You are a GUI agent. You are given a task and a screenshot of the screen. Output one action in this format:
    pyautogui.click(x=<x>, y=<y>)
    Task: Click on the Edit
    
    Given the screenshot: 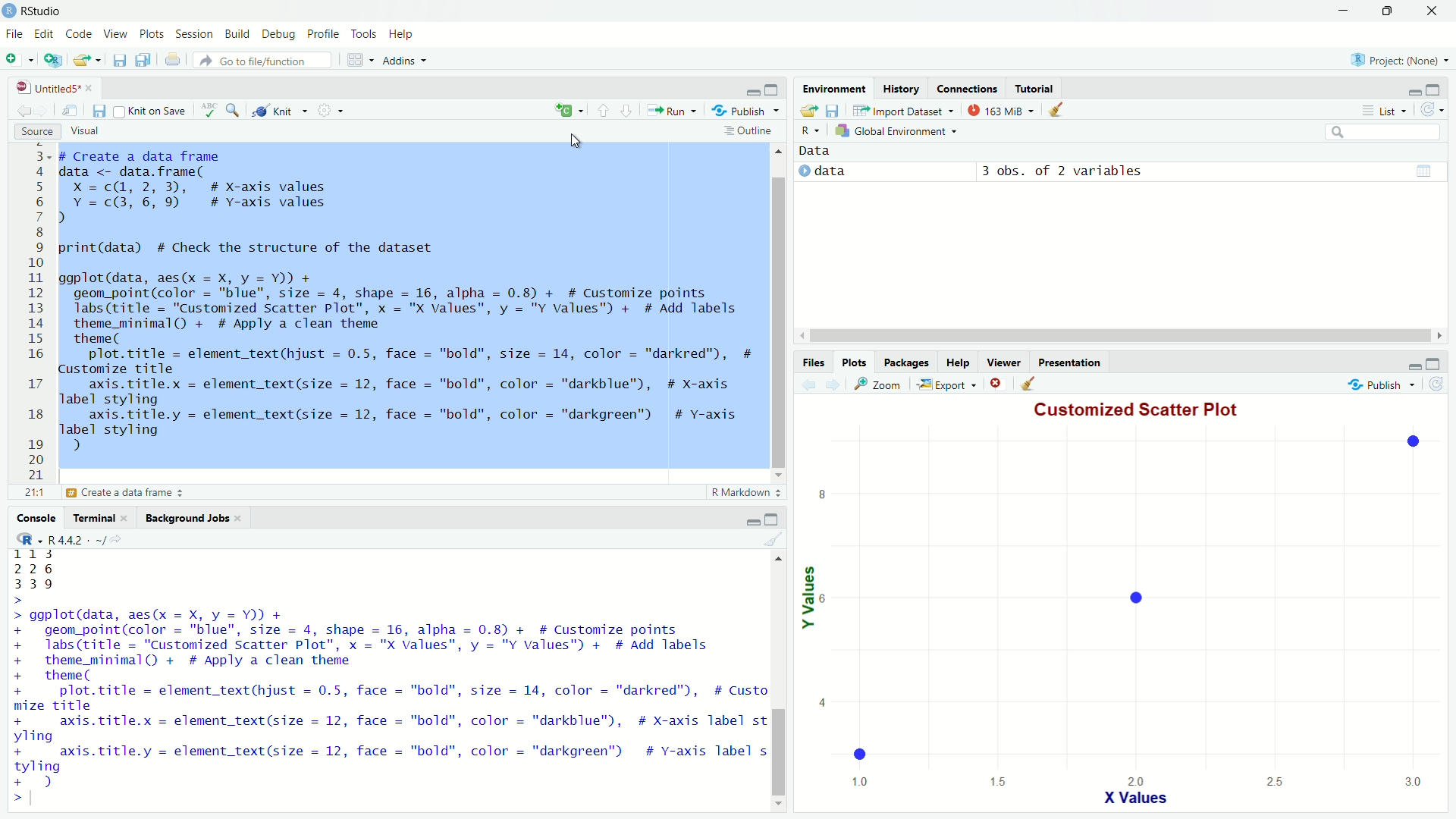 What is the action you would take?
    pyautogui.click(x=45, y=36)
    